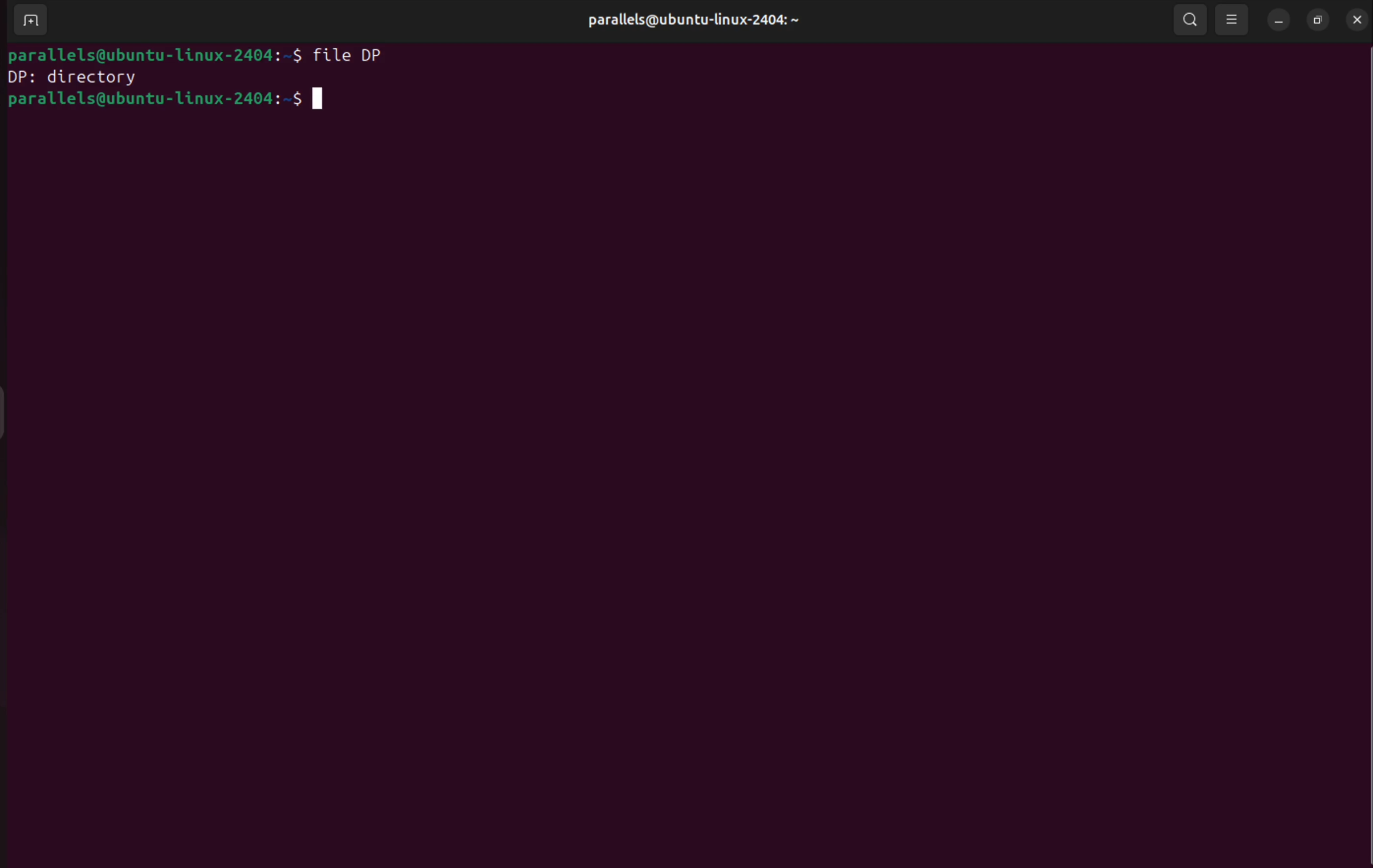 The width and height of the screenshot is (1373, 868). What do you see at coordinates (33, 20) in the screenshot?
I see `add terminal` at bounding box center [33, 20].